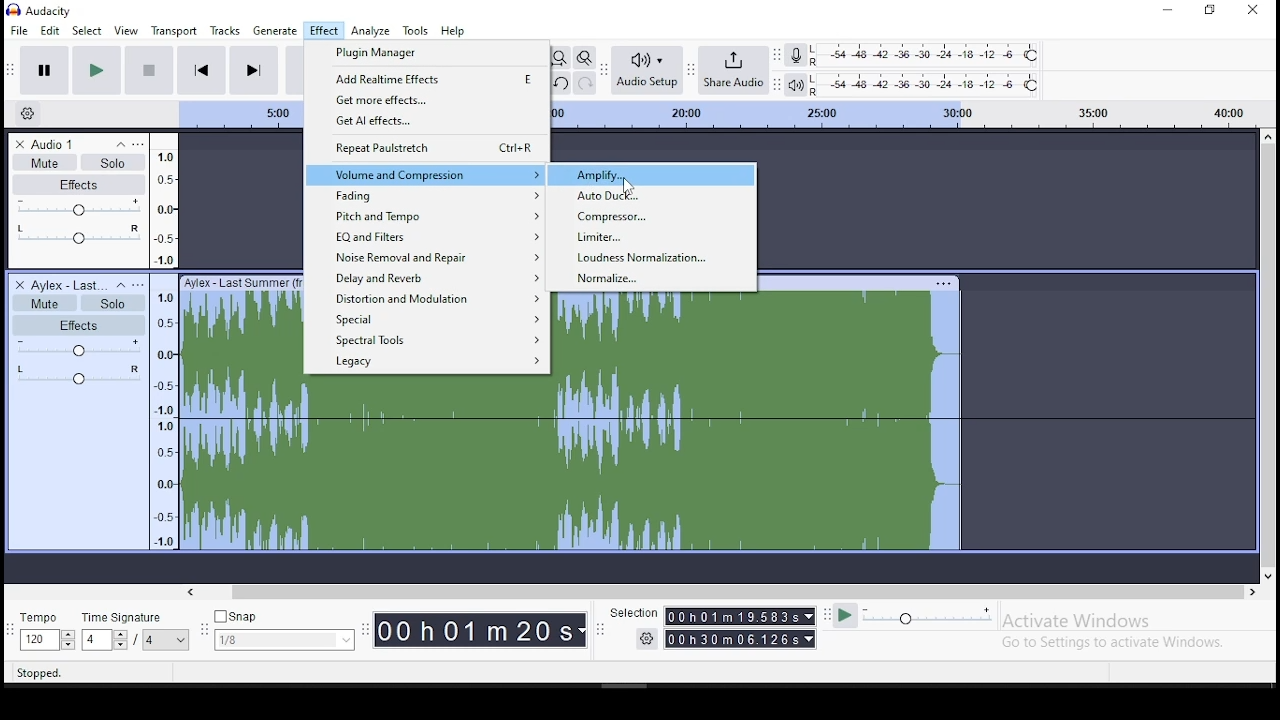  I want to click on icon, so click(44, 11).